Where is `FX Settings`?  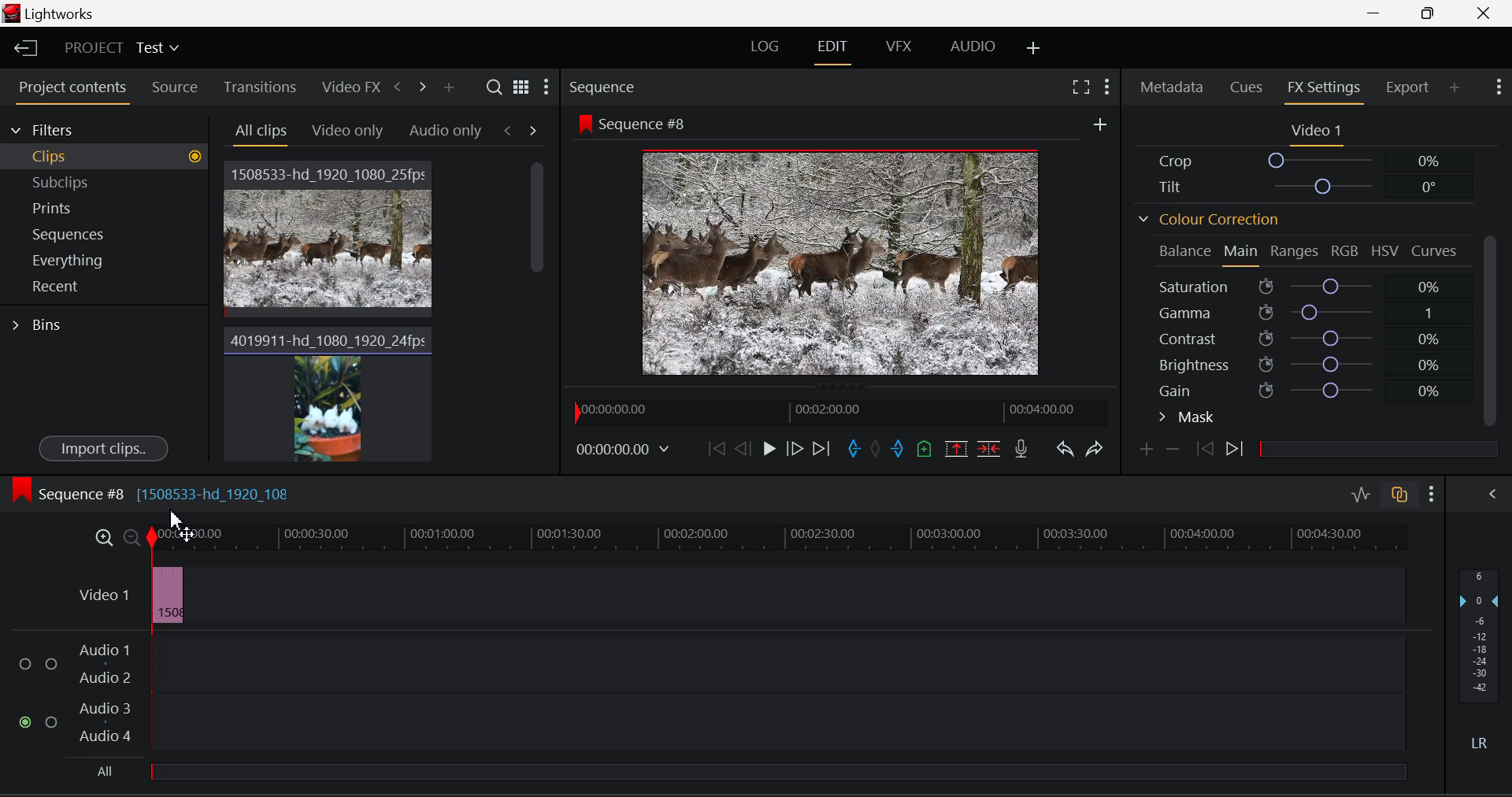
FX Settings is located at coordinates (1320, 88).